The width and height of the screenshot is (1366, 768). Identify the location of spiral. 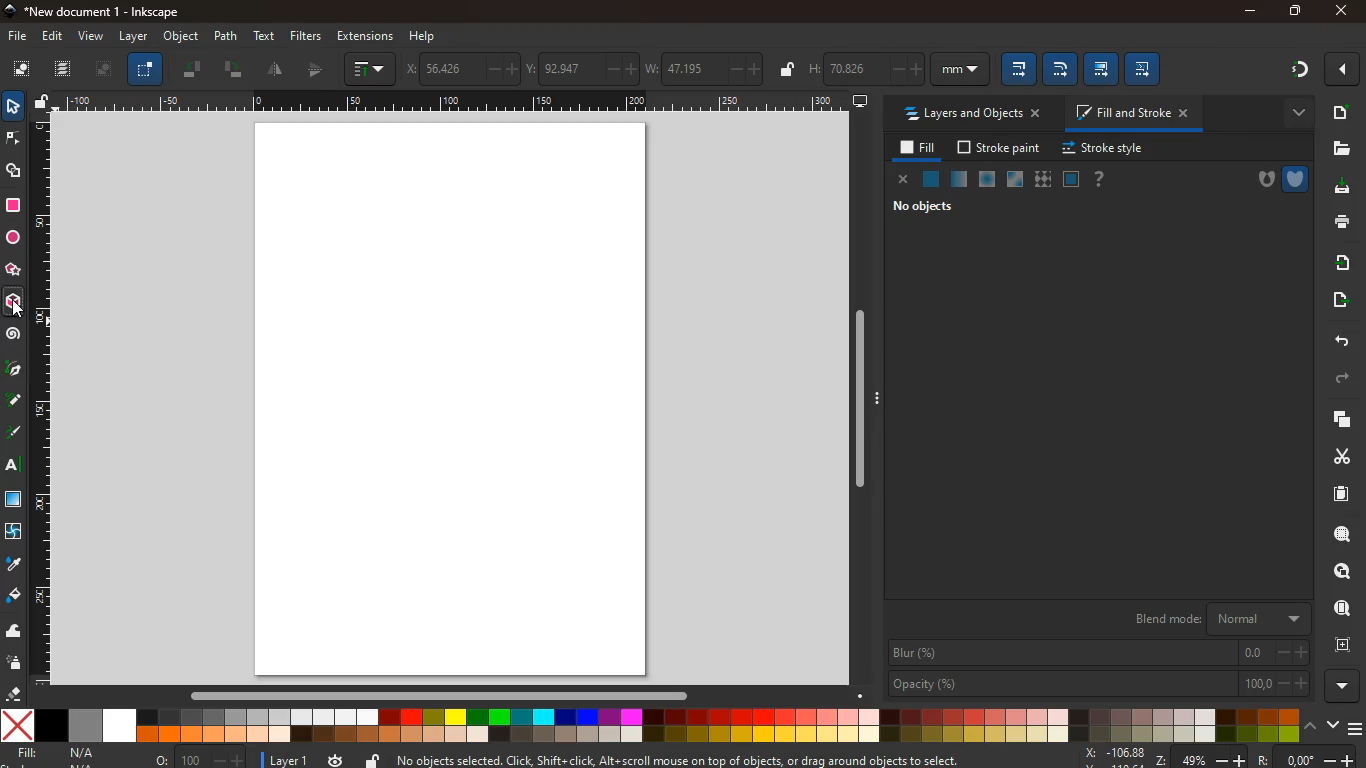
(14, 336).